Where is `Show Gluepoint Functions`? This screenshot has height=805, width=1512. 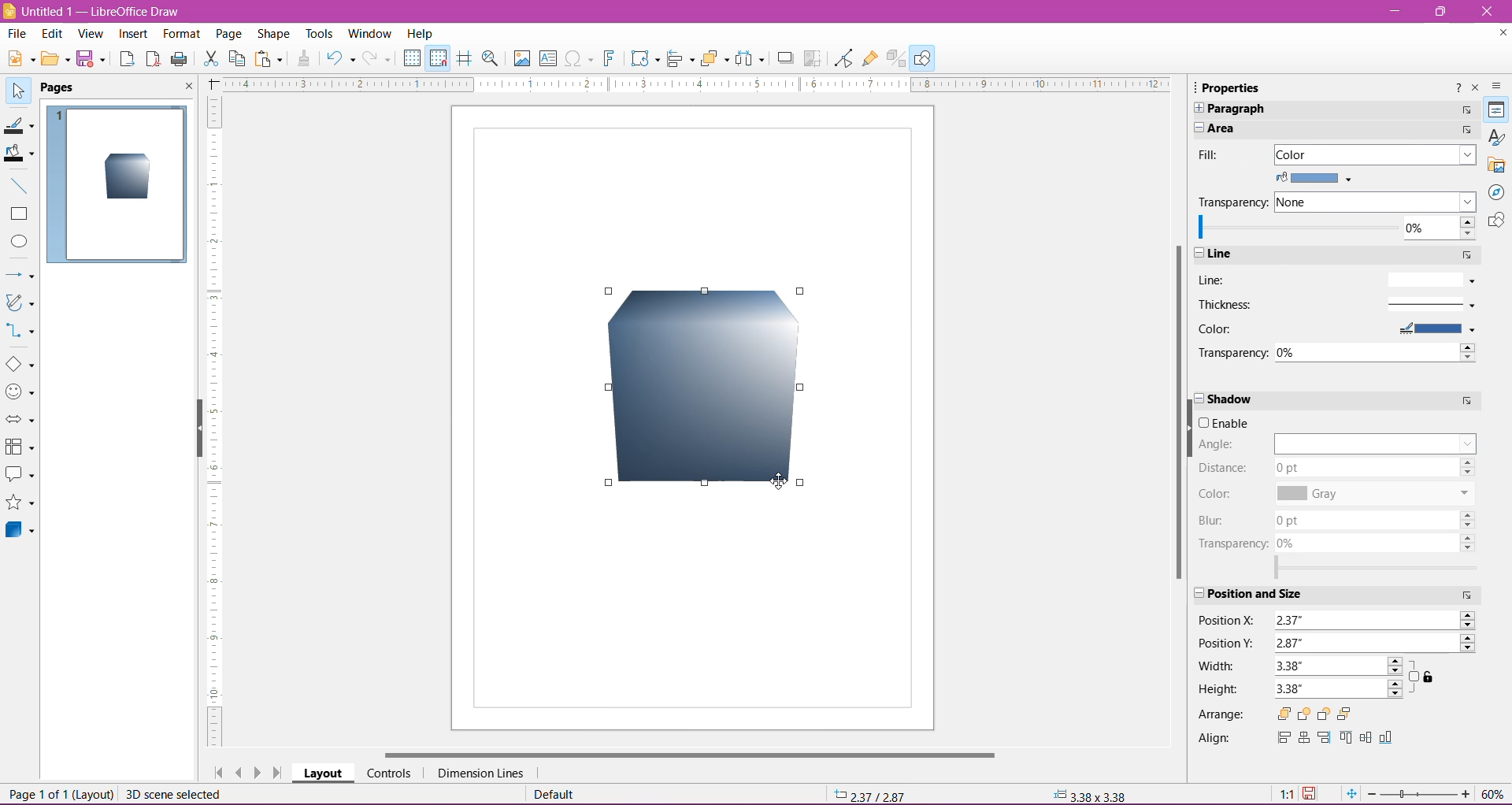
Show Gluepoint Functions is located at coordinates (871, 59).